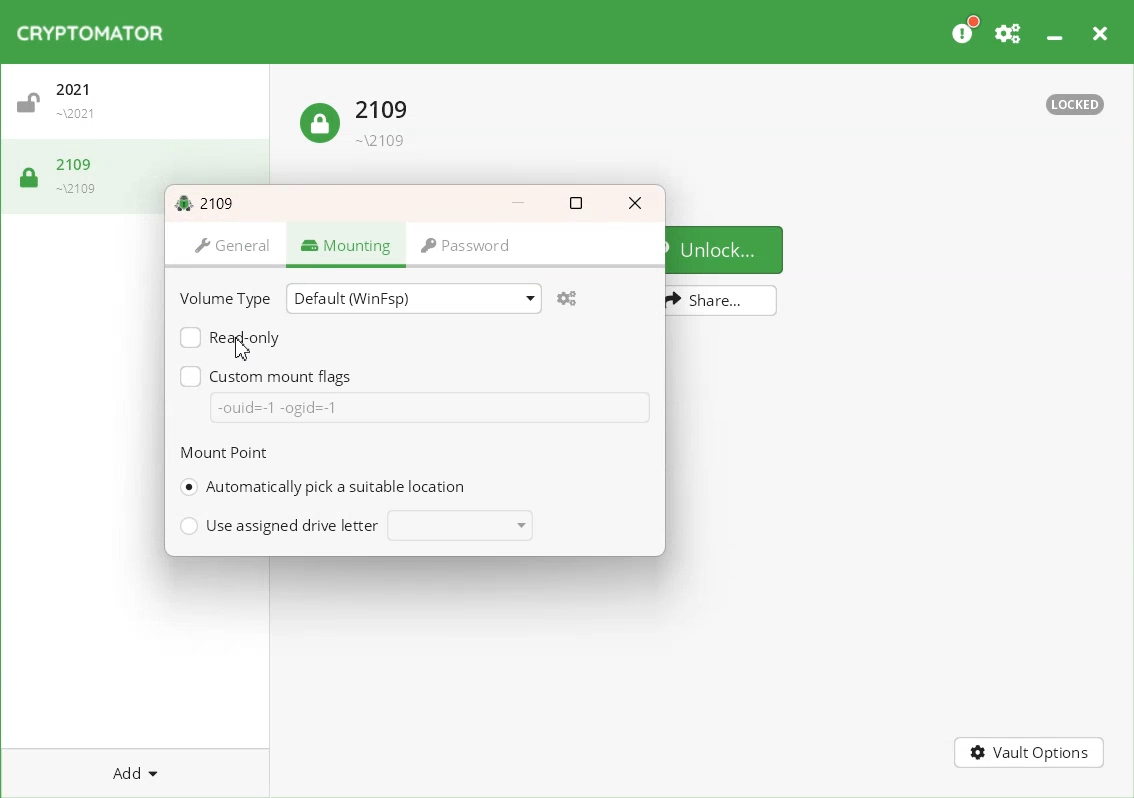 This screenshot has height=798, width=1134. I want to click on Read-only, so click(234, 338).